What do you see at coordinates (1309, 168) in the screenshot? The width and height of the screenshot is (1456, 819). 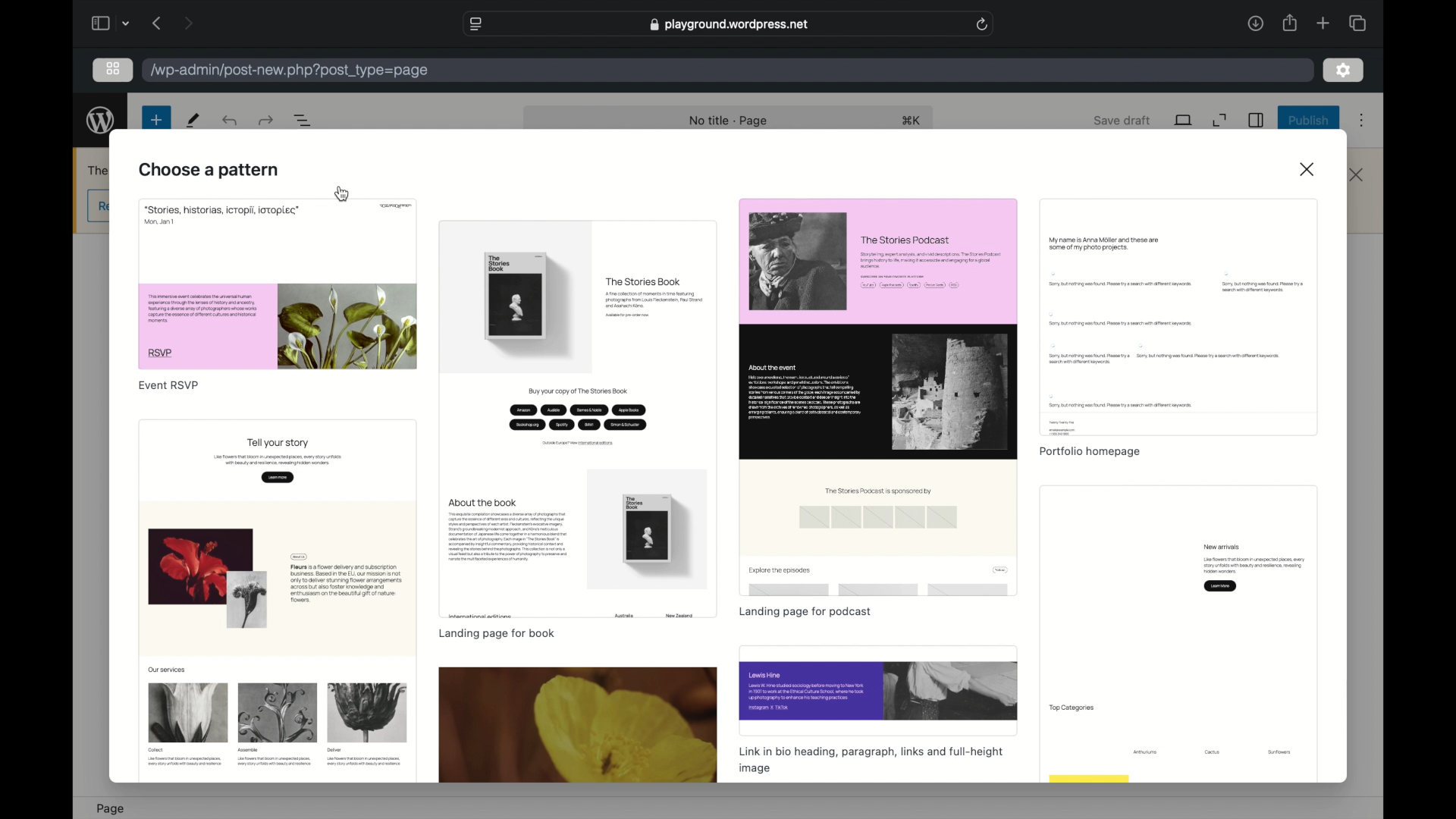 I see `close` at bounding box center [1309, 168].